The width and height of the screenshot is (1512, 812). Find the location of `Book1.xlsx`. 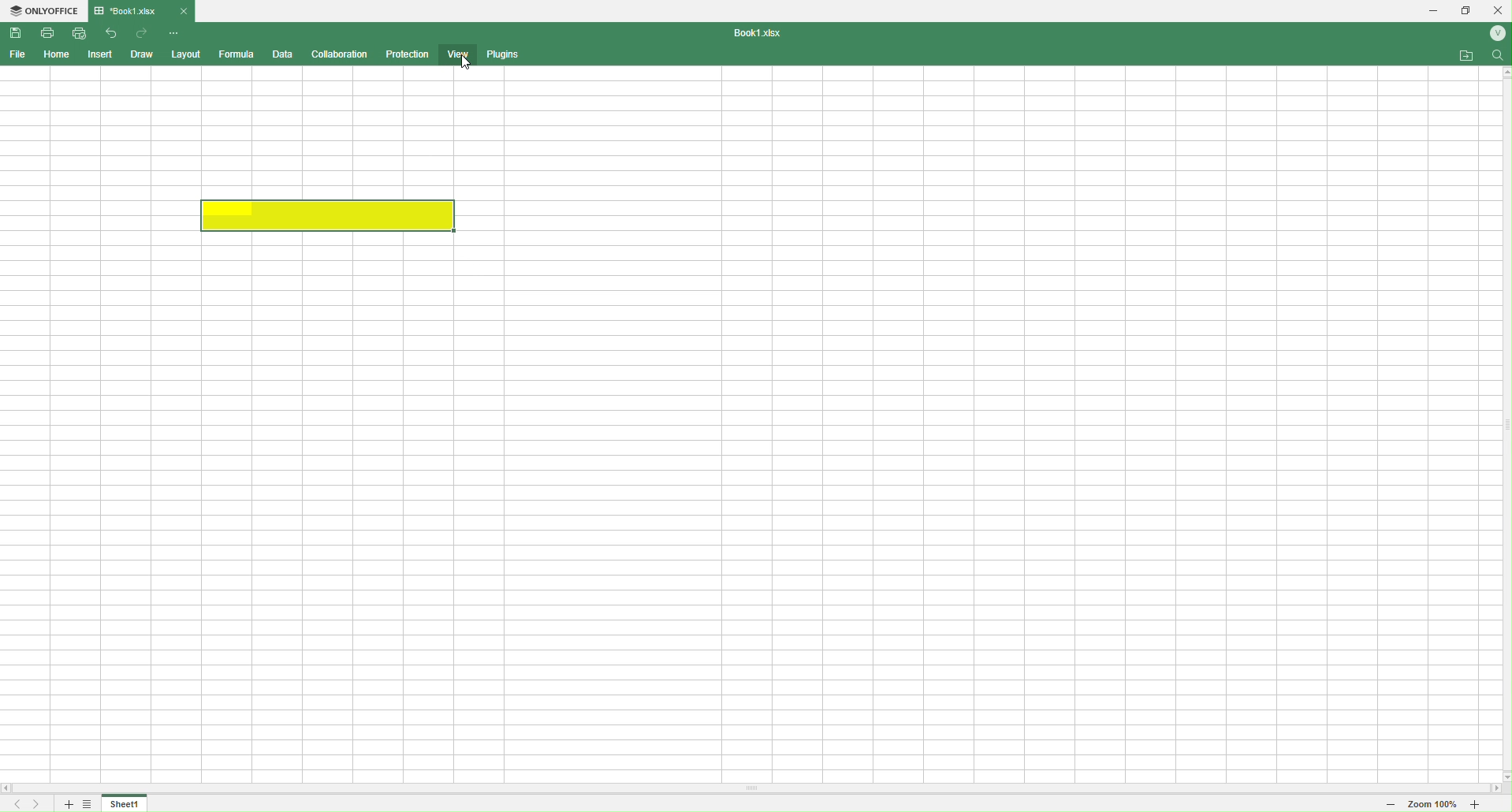

Book1.xlsx is located at coordinates (765, 34).